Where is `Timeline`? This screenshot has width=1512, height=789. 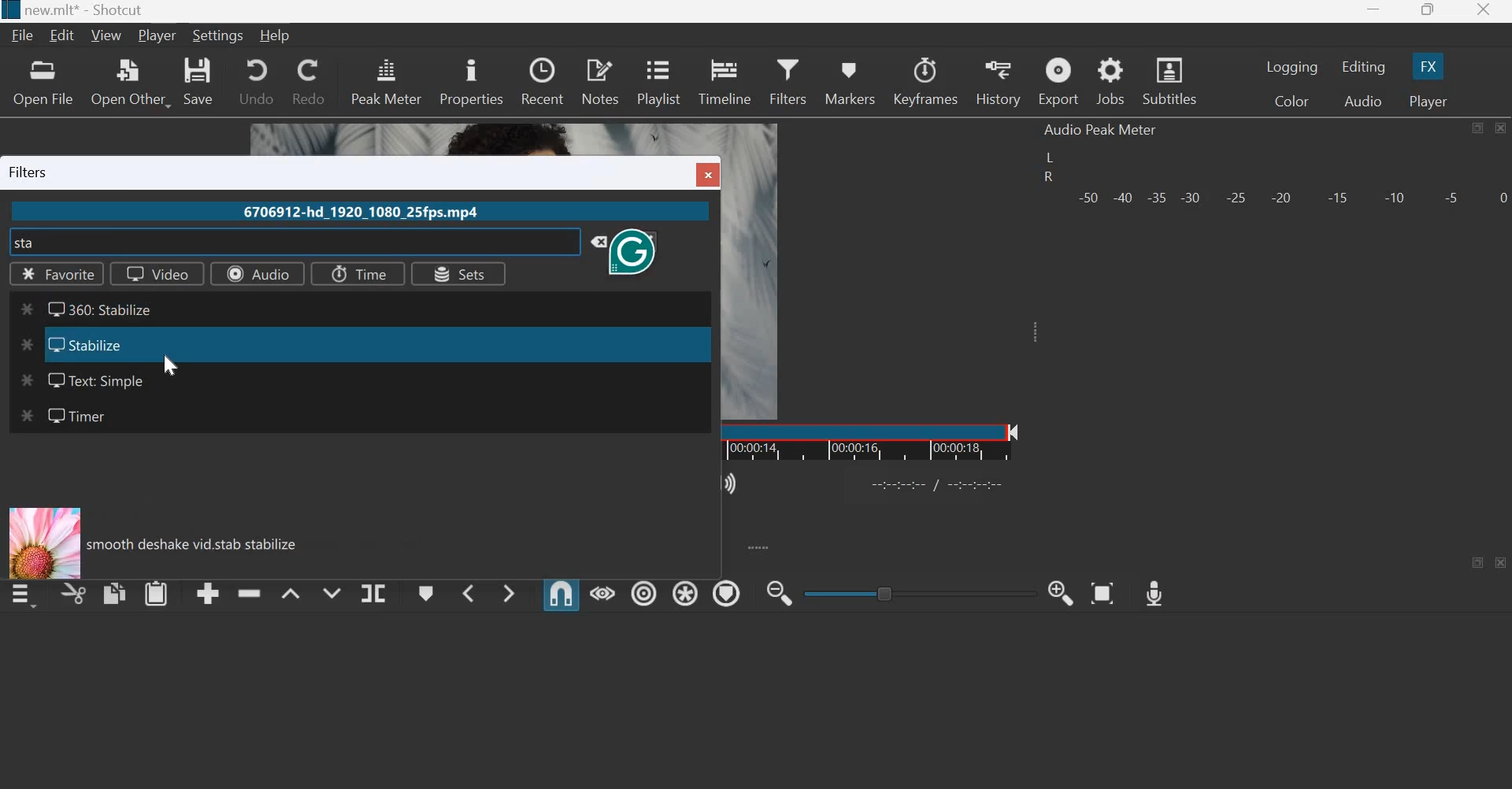 Timeline is located at coordinates (724, 80).